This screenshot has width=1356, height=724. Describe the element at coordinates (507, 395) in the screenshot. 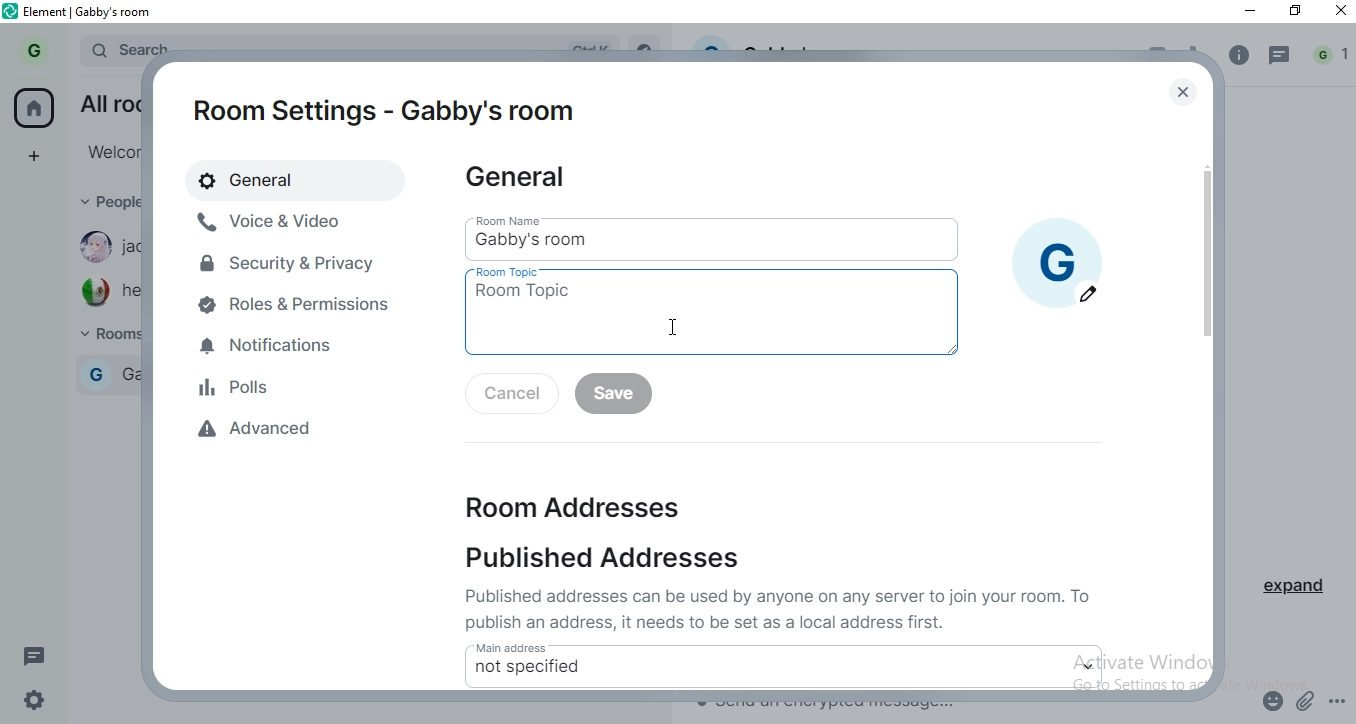

I see `cancel` at that location.